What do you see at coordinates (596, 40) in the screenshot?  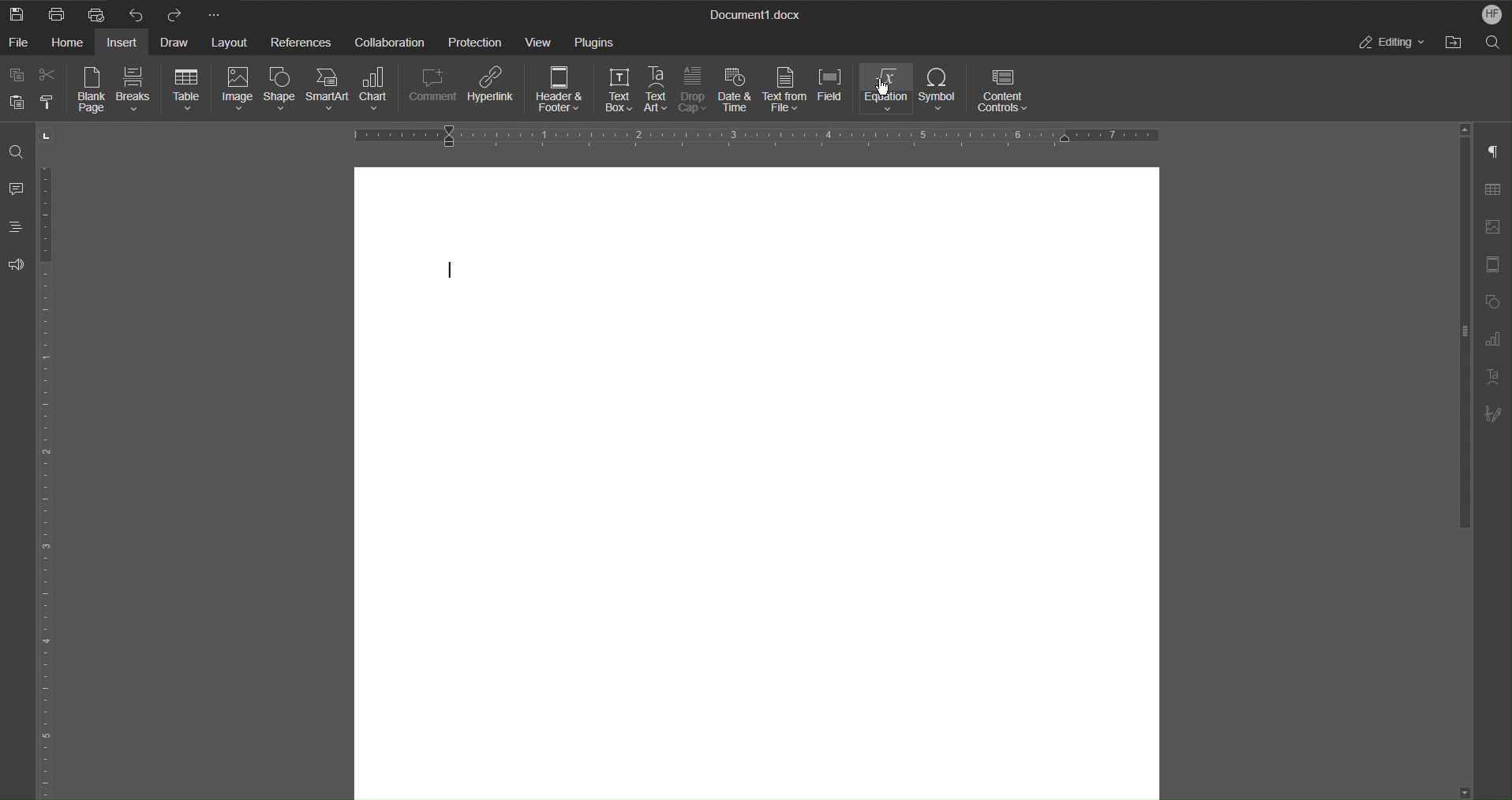 I see `Plugins` at bounding box center [596, 40].